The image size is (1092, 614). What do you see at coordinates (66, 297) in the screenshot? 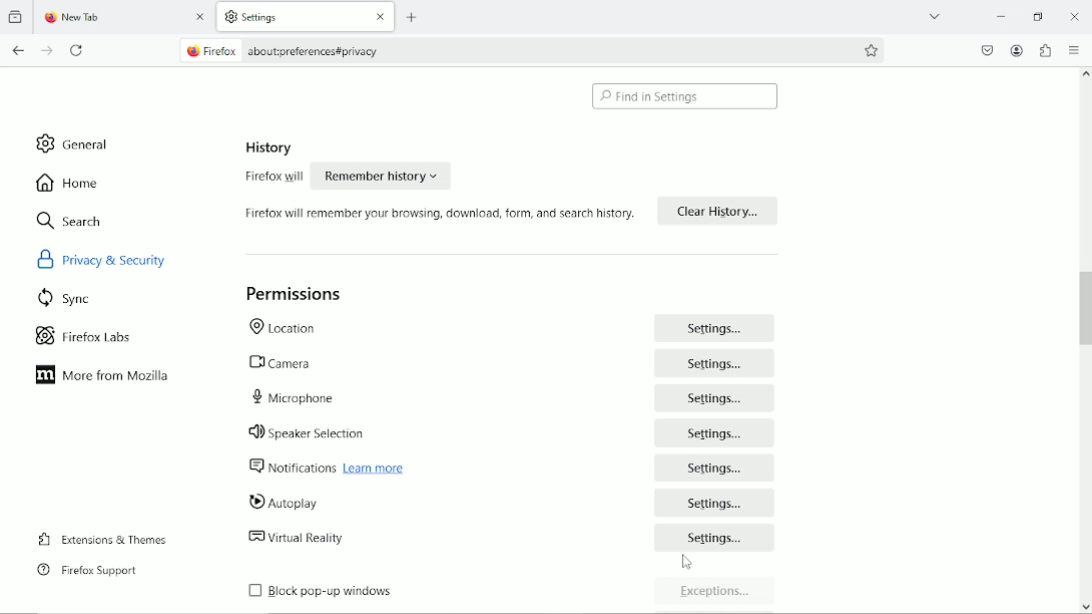
I see `sync` at bounding box center [66, 297].